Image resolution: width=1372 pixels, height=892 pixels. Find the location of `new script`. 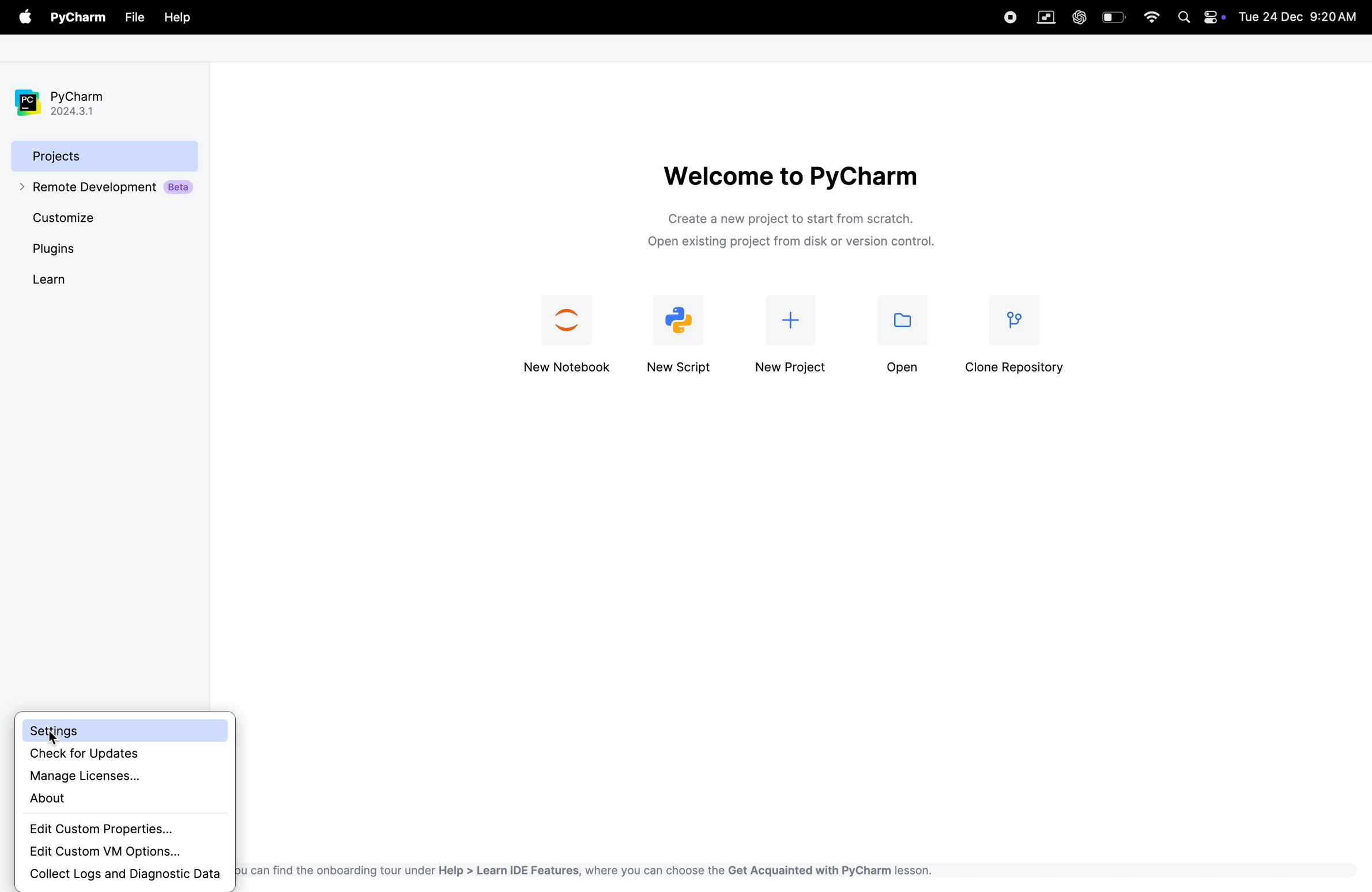

new script is located at coordinates (683, 334).